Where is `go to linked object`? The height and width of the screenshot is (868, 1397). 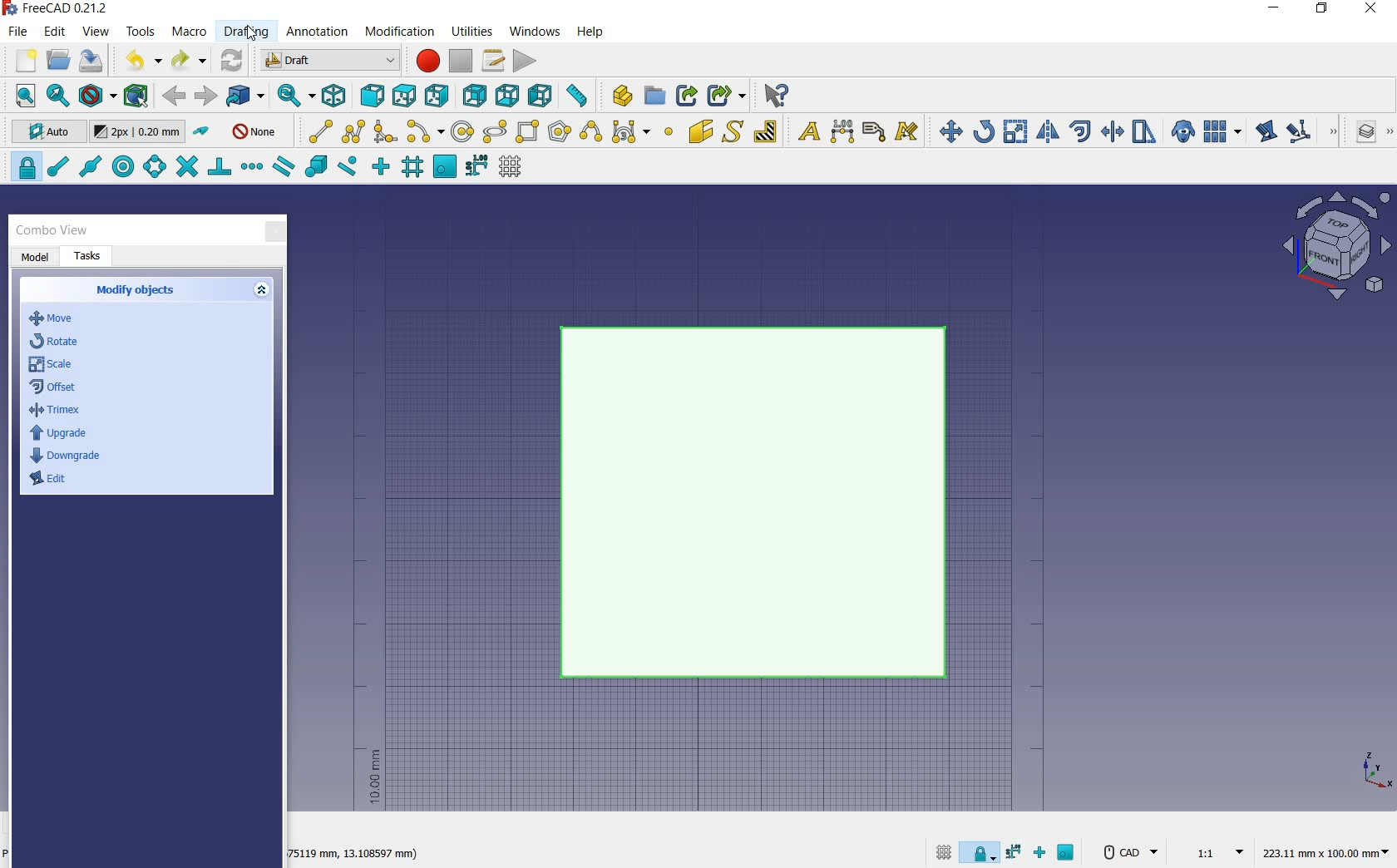
go to linked object is located at coordinates (246, 96).